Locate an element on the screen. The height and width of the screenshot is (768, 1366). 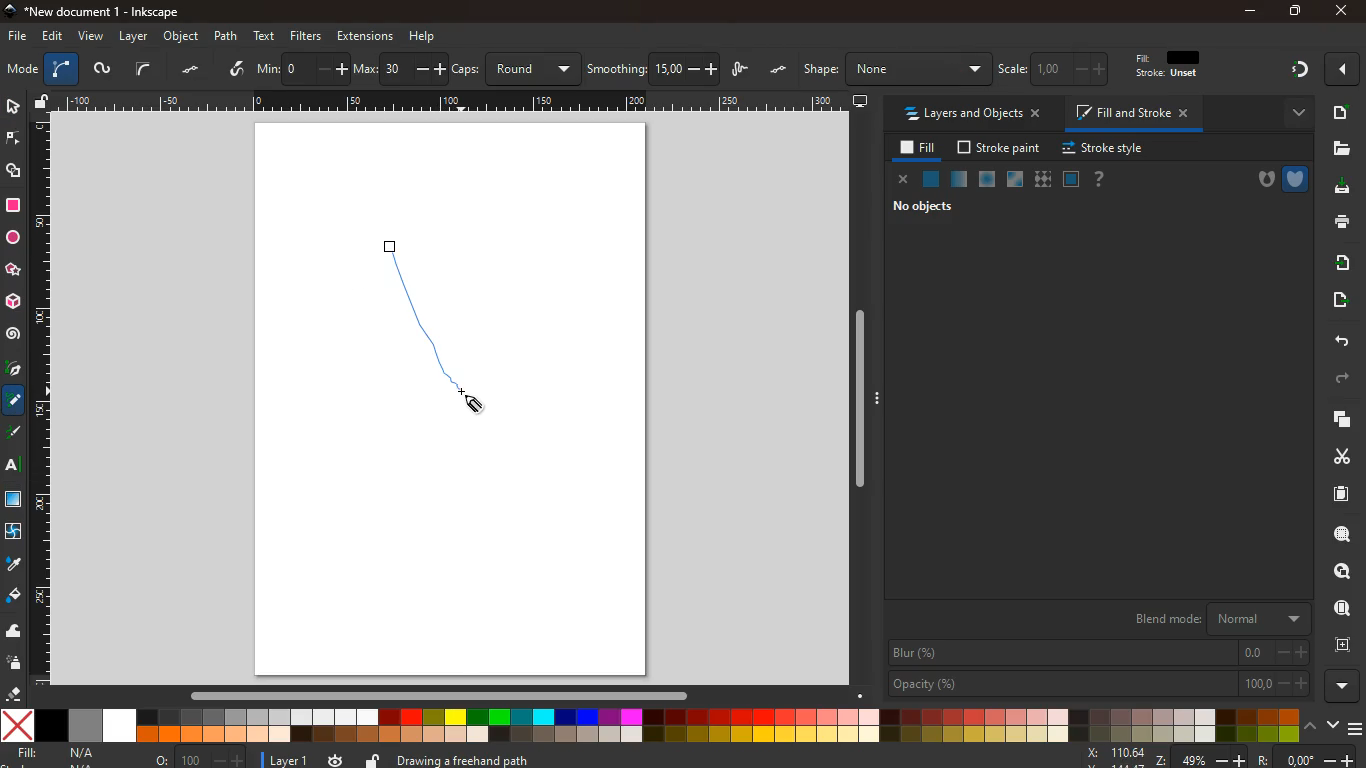
draw is located at coordinates (238, 70).